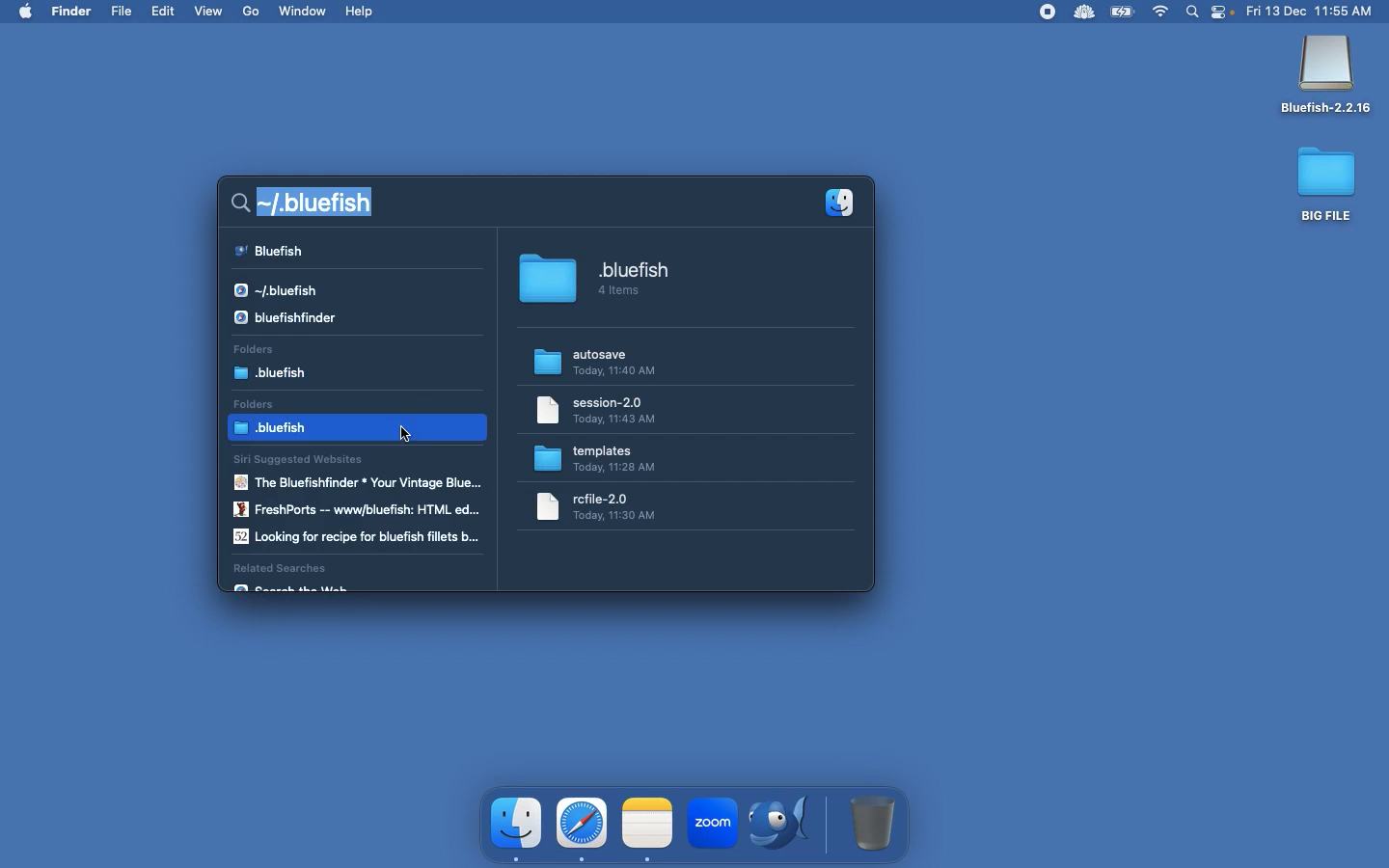  Describe the element at coordinates (613, 505) in the screenshot. I see `folder` at that location.